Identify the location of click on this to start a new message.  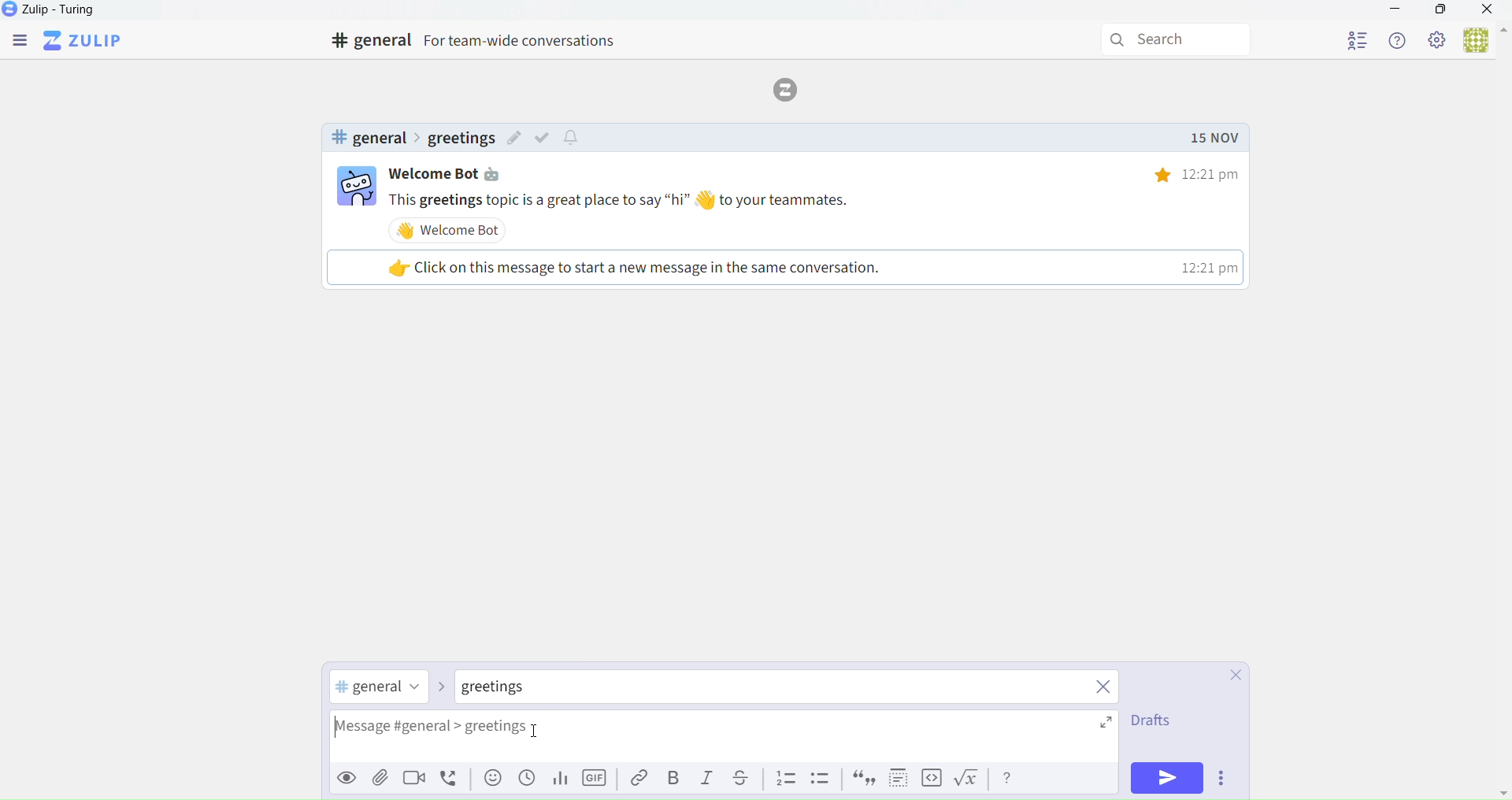
(782, 267).